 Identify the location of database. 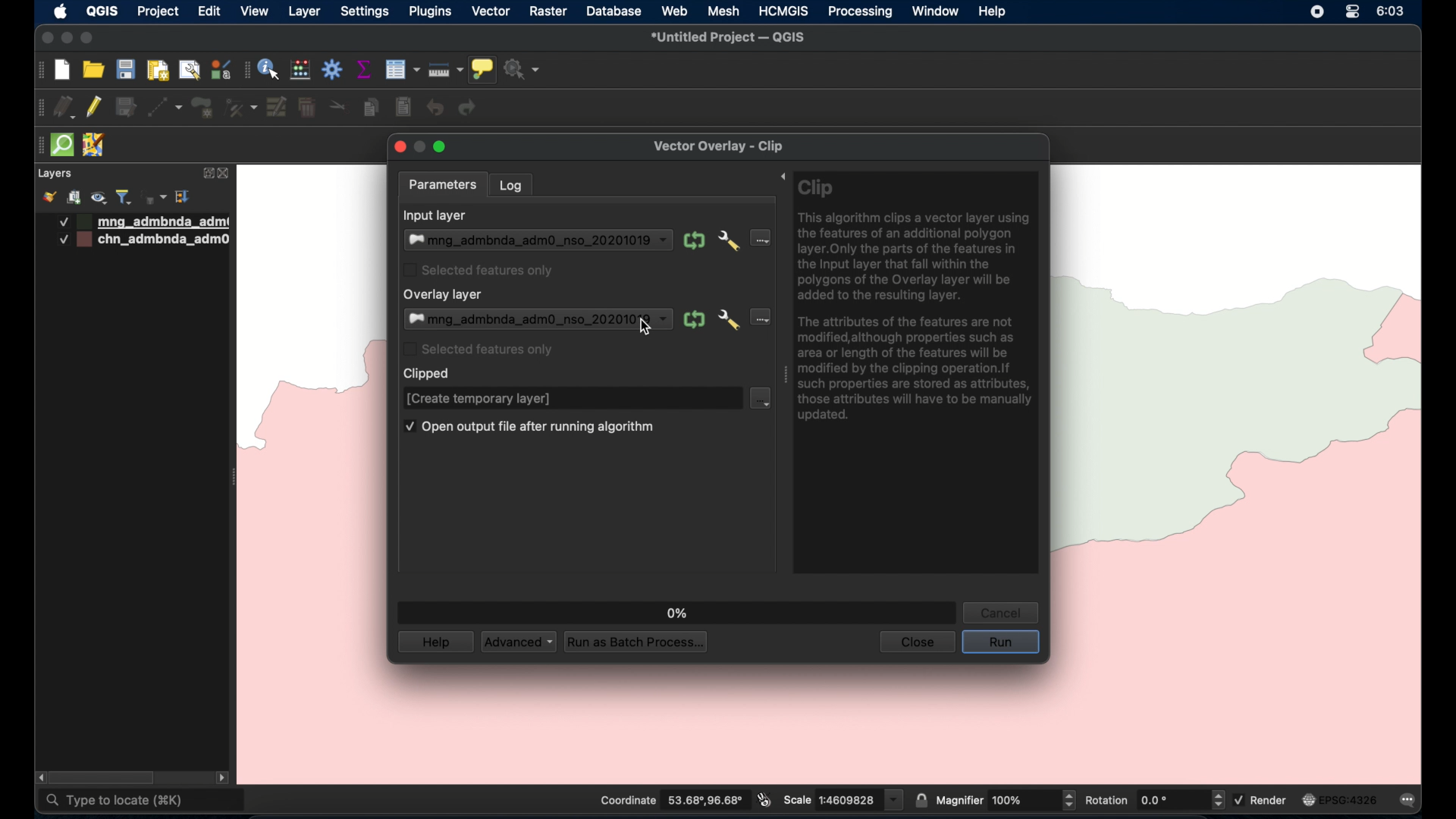
(612, 13).